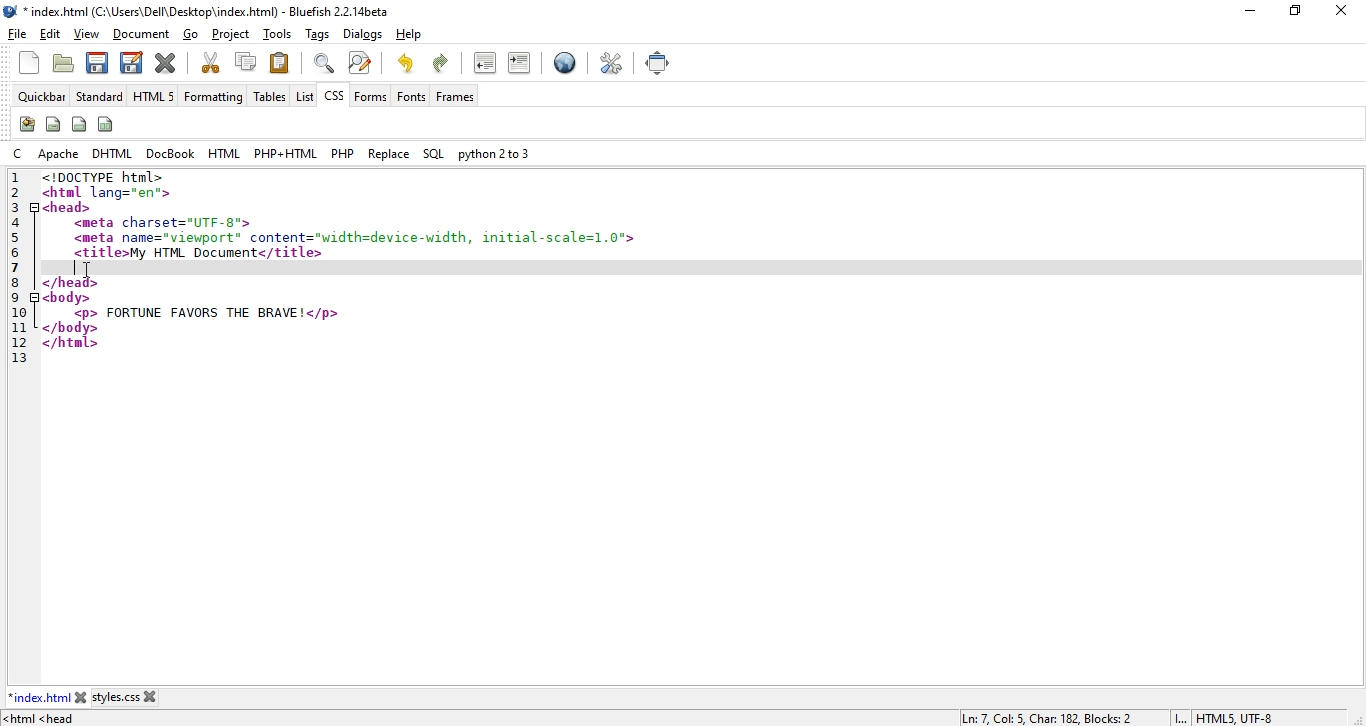 This screenshot has width=1366, height=726. Describe the element at coordinates (116, 699) in the screenshot. I see `styles.css` at that location.